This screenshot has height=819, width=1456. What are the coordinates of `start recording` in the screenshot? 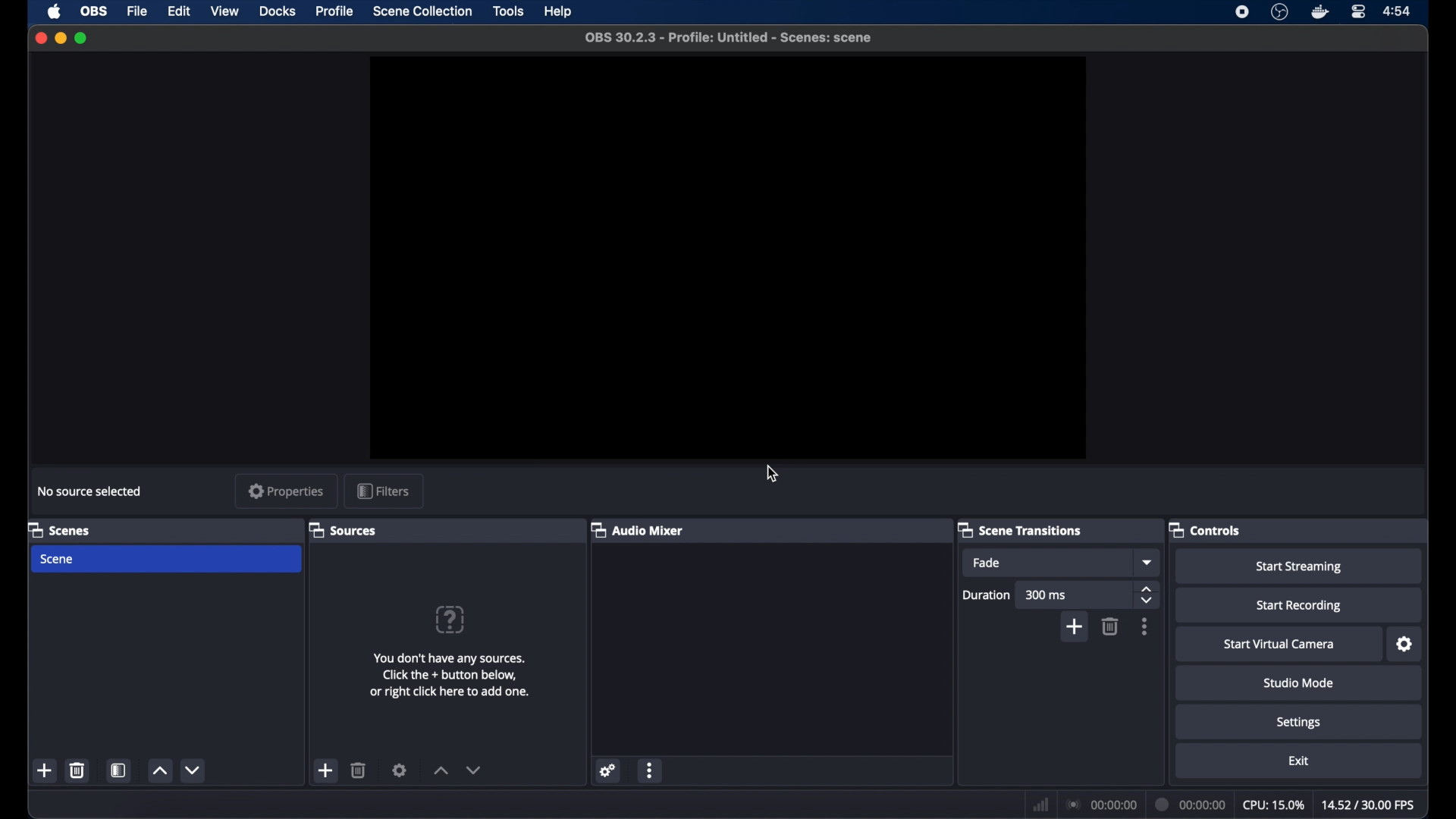 It's located at (1303, 604).